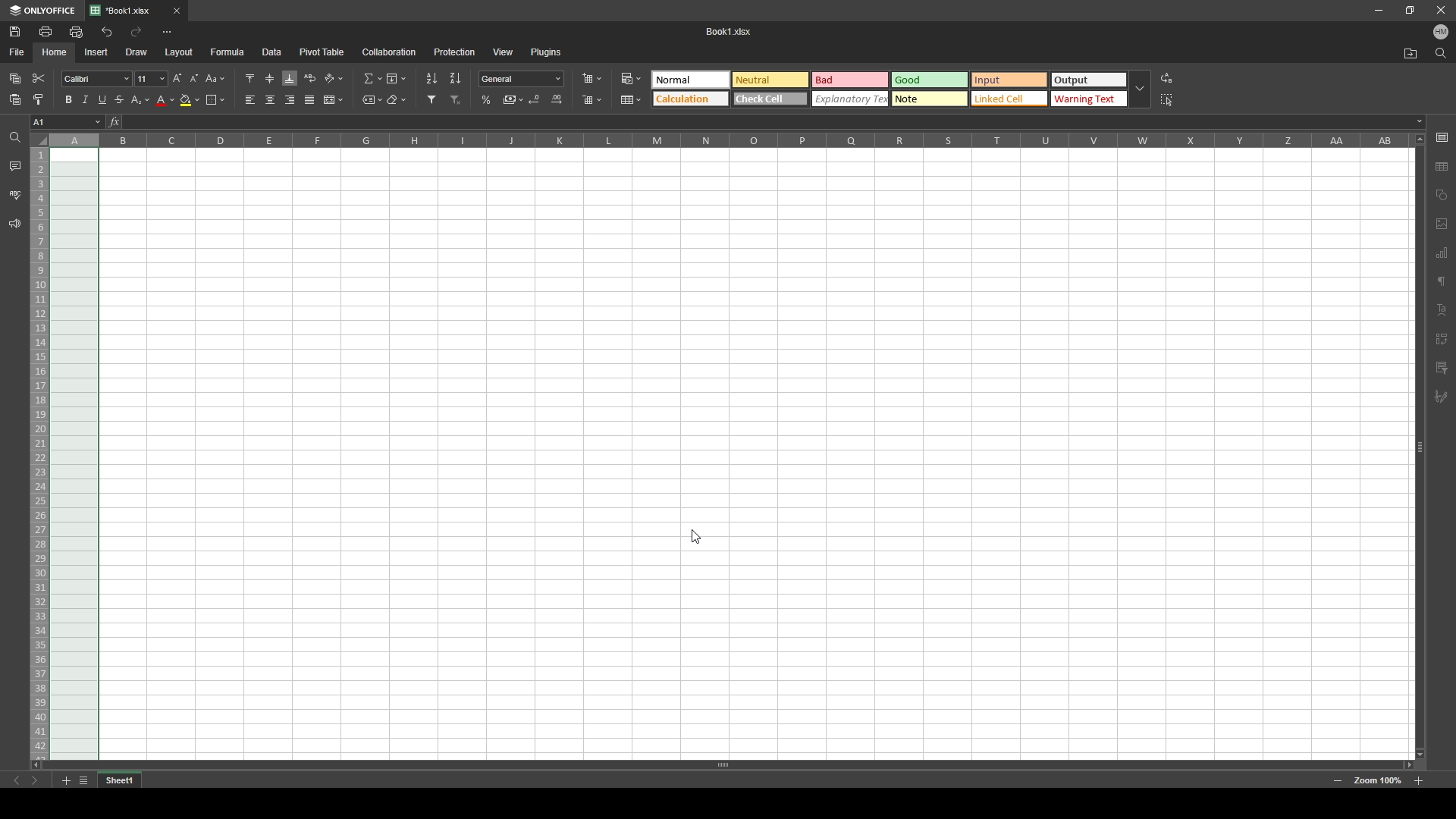 The image size is (1456, 819). What do you see at coordinates (311, 77) in the screenshot?
I see `wrap text` at bounding box center [311, 77].